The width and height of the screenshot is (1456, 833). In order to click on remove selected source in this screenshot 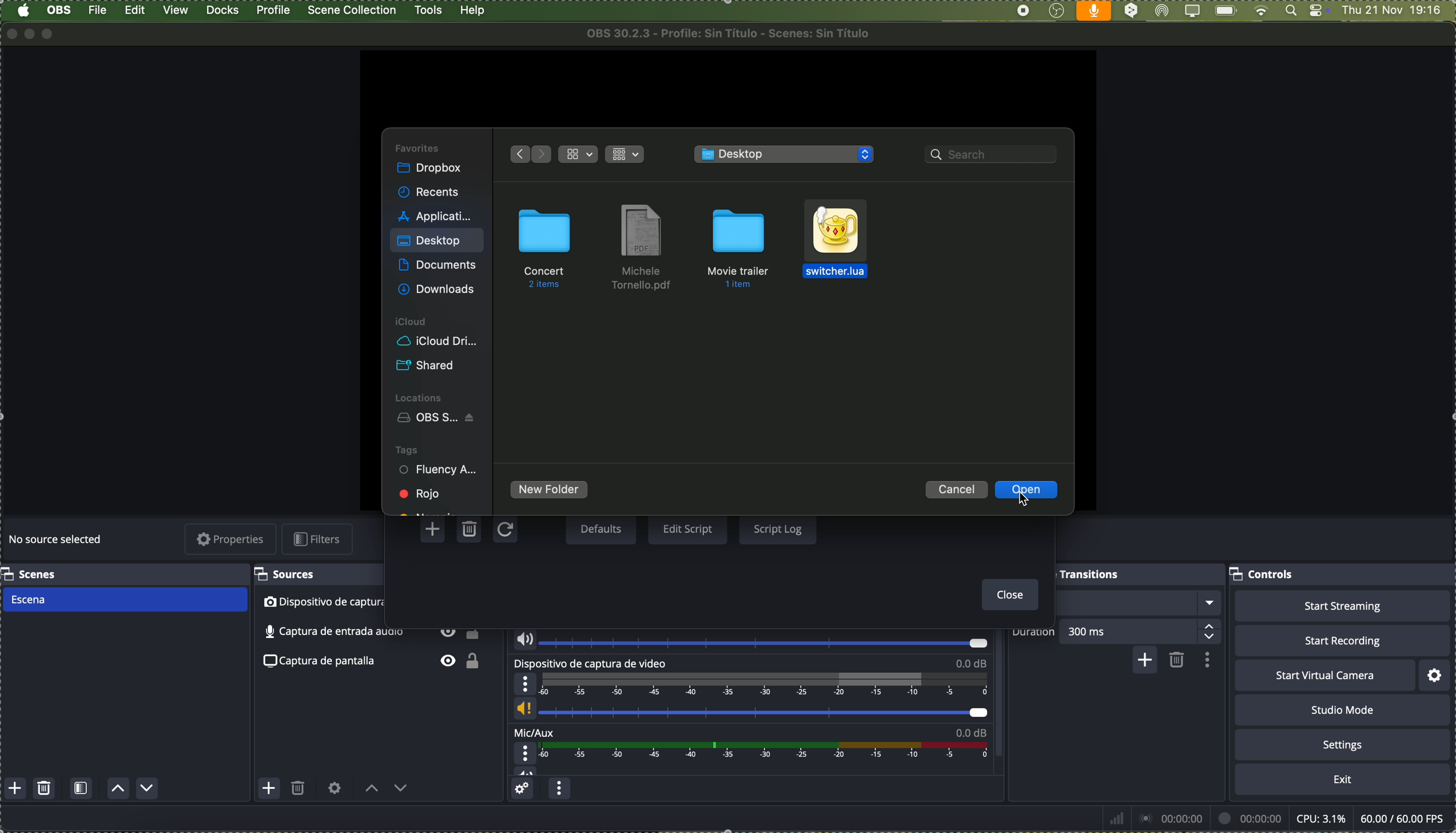, I will do `click(299, 791)`.